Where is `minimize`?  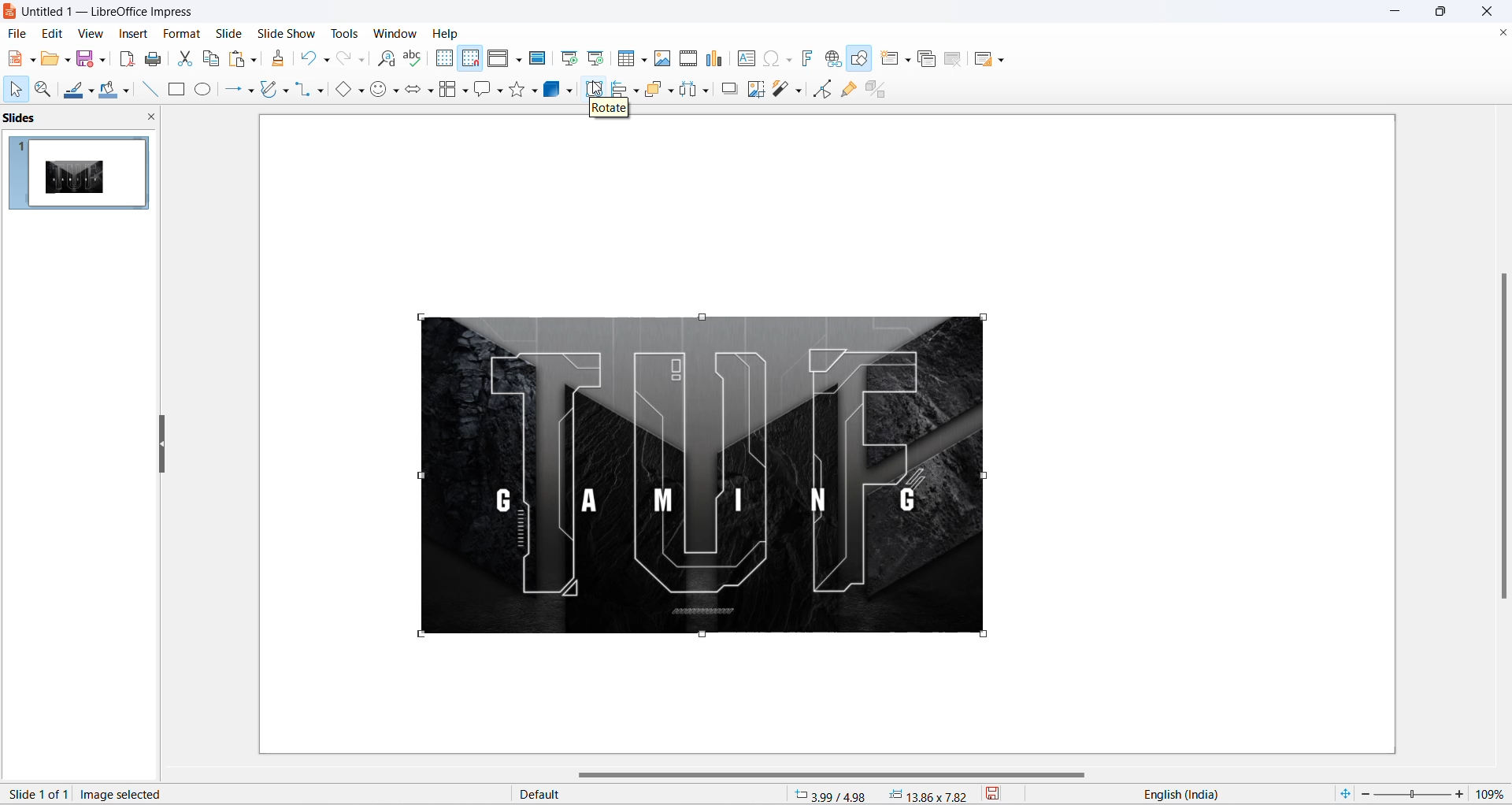
minimize is located at coordinates (1397, 12).